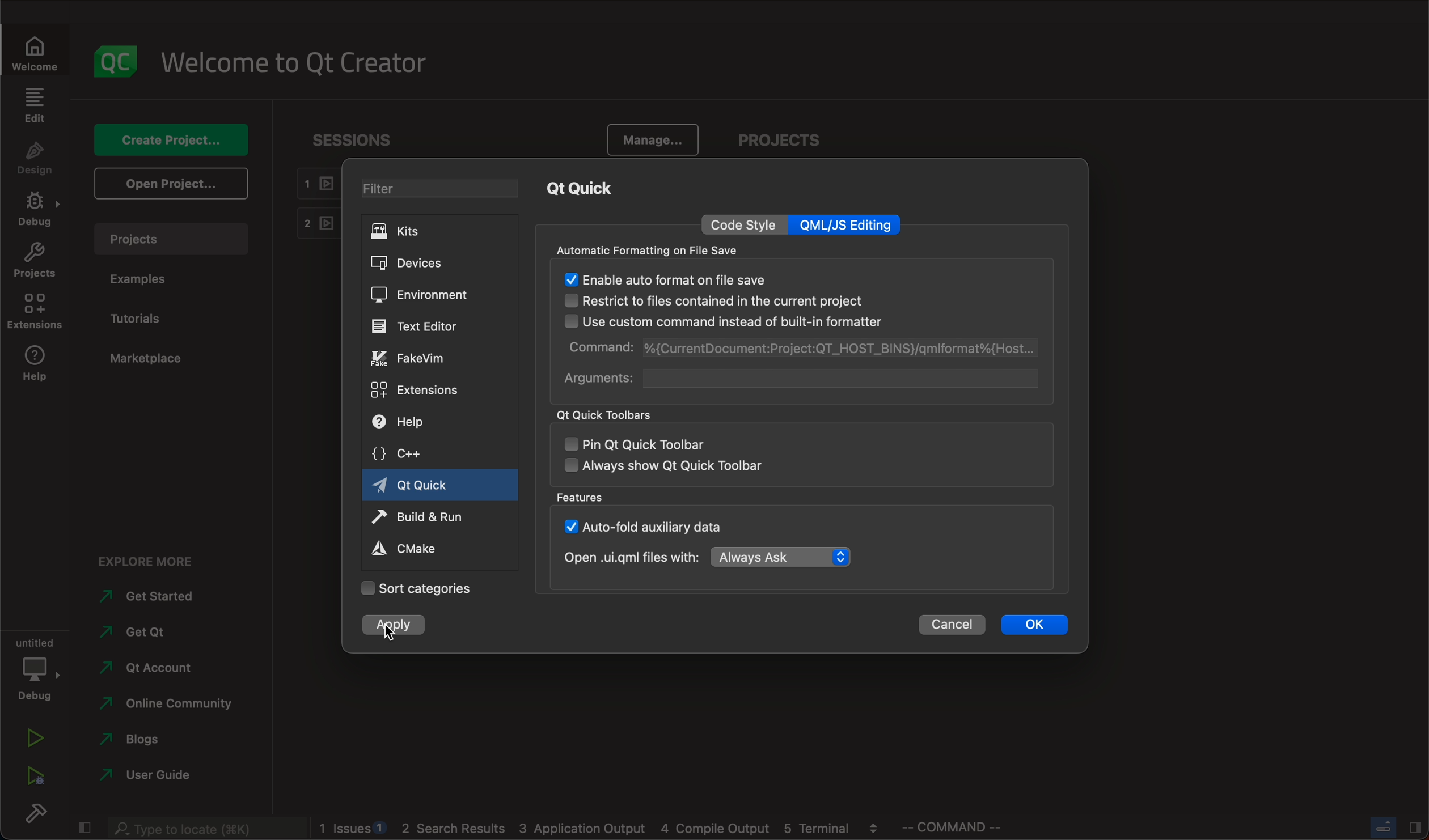 The image size is (1429, 840). I want to click on ok, so click(1038, 625).